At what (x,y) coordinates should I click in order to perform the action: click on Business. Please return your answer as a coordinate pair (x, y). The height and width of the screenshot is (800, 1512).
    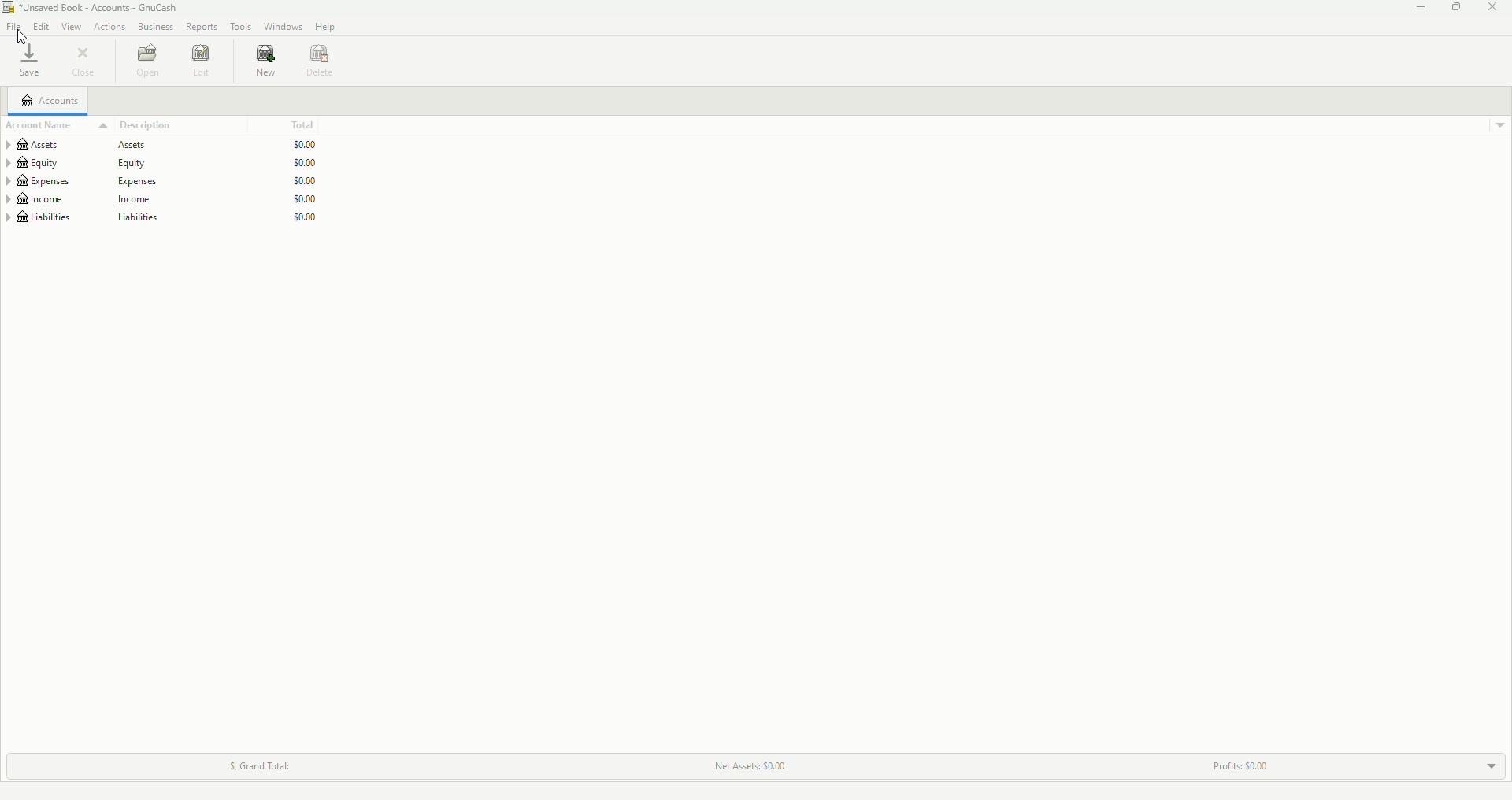
    Looking at the image, I should click on (154, 28).